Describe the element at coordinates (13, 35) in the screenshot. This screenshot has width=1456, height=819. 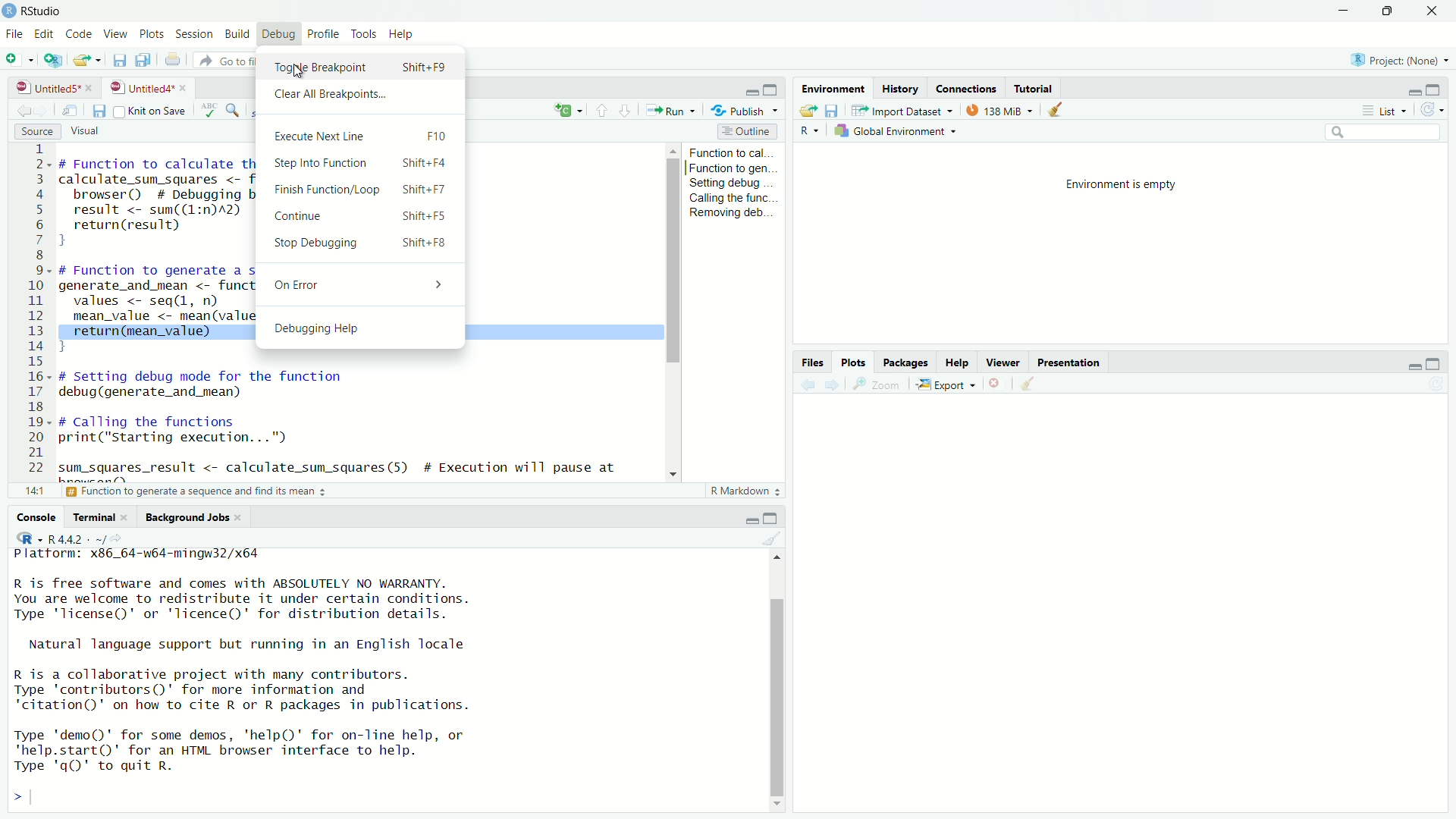
I see `File` at that location.